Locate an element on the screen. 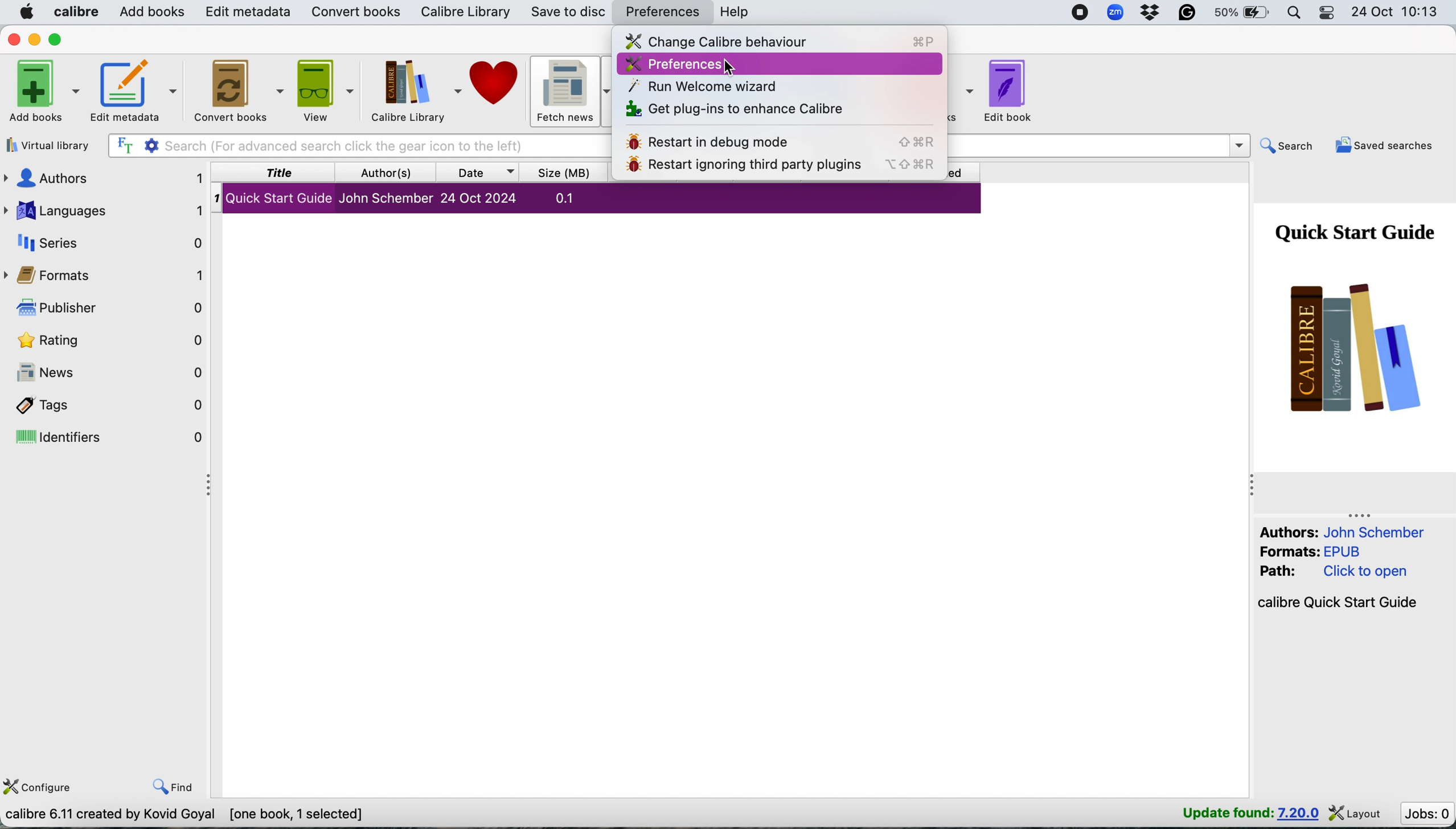 The image size is (1456, 829). convert books is located at coordinates (236, 91).